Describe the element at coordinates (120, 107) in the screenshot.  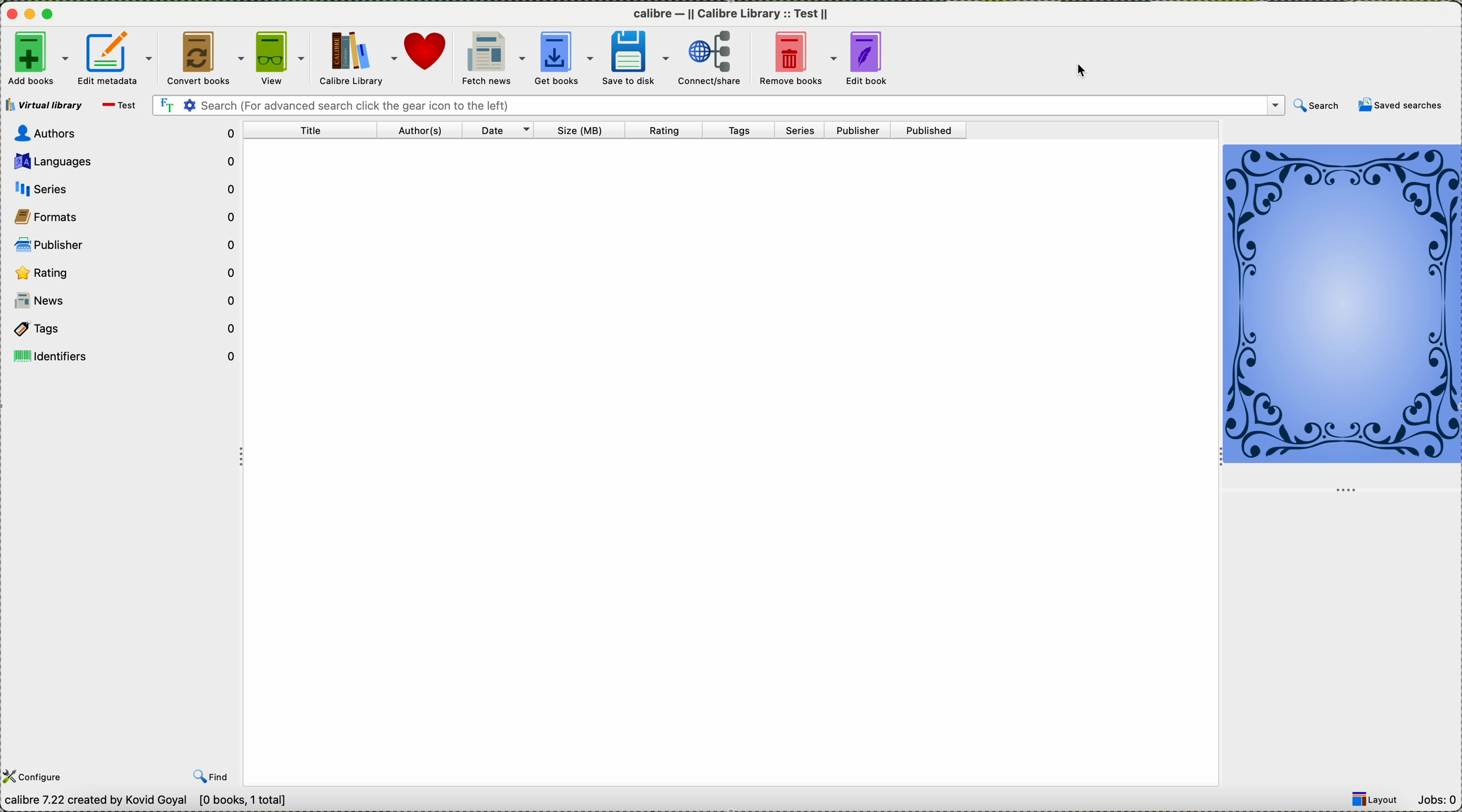
I see `new virtual library` at that location.